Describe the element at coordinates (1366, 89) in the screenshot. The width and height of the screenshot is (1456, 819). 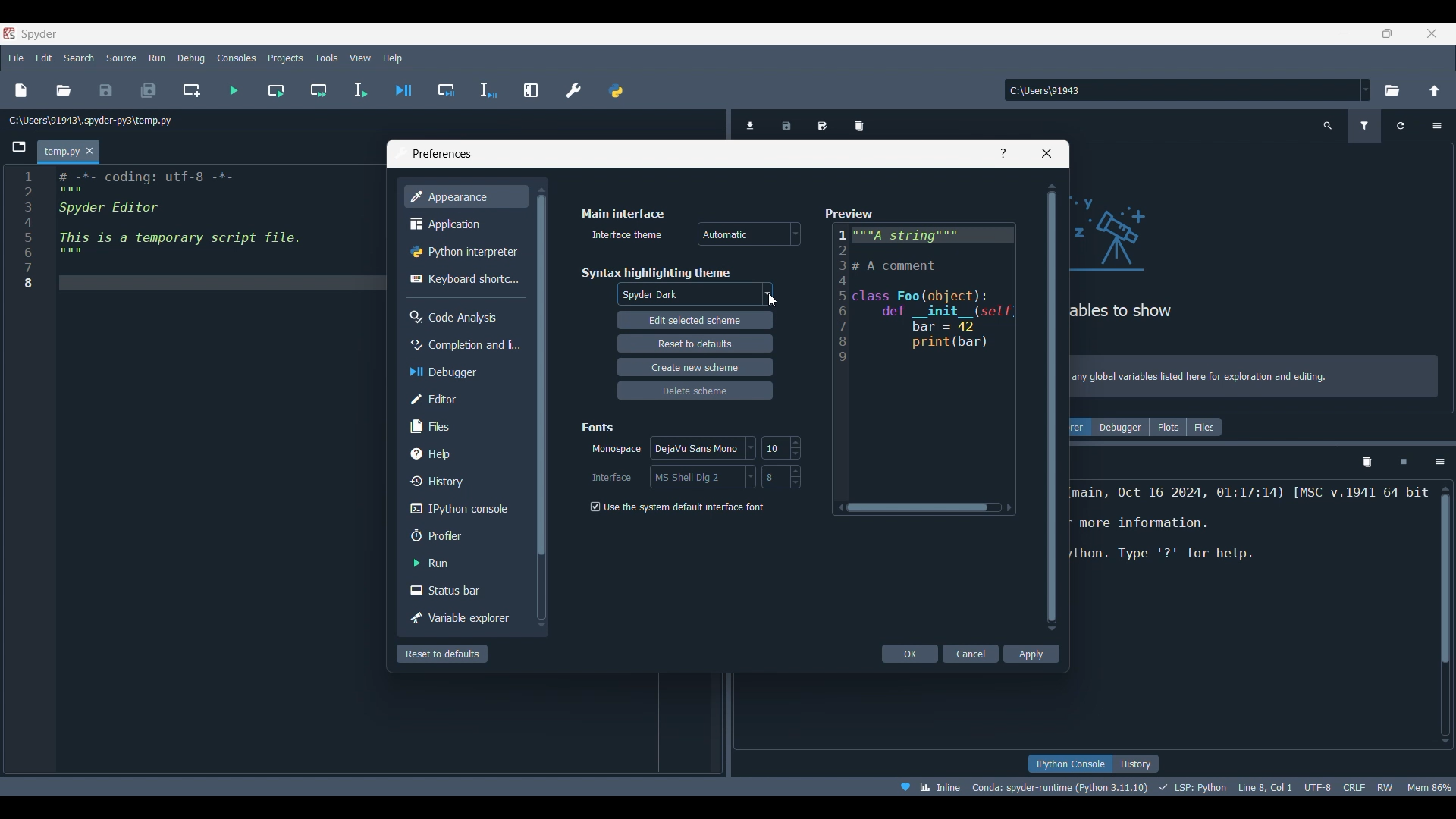
I see `Location options` at that location.